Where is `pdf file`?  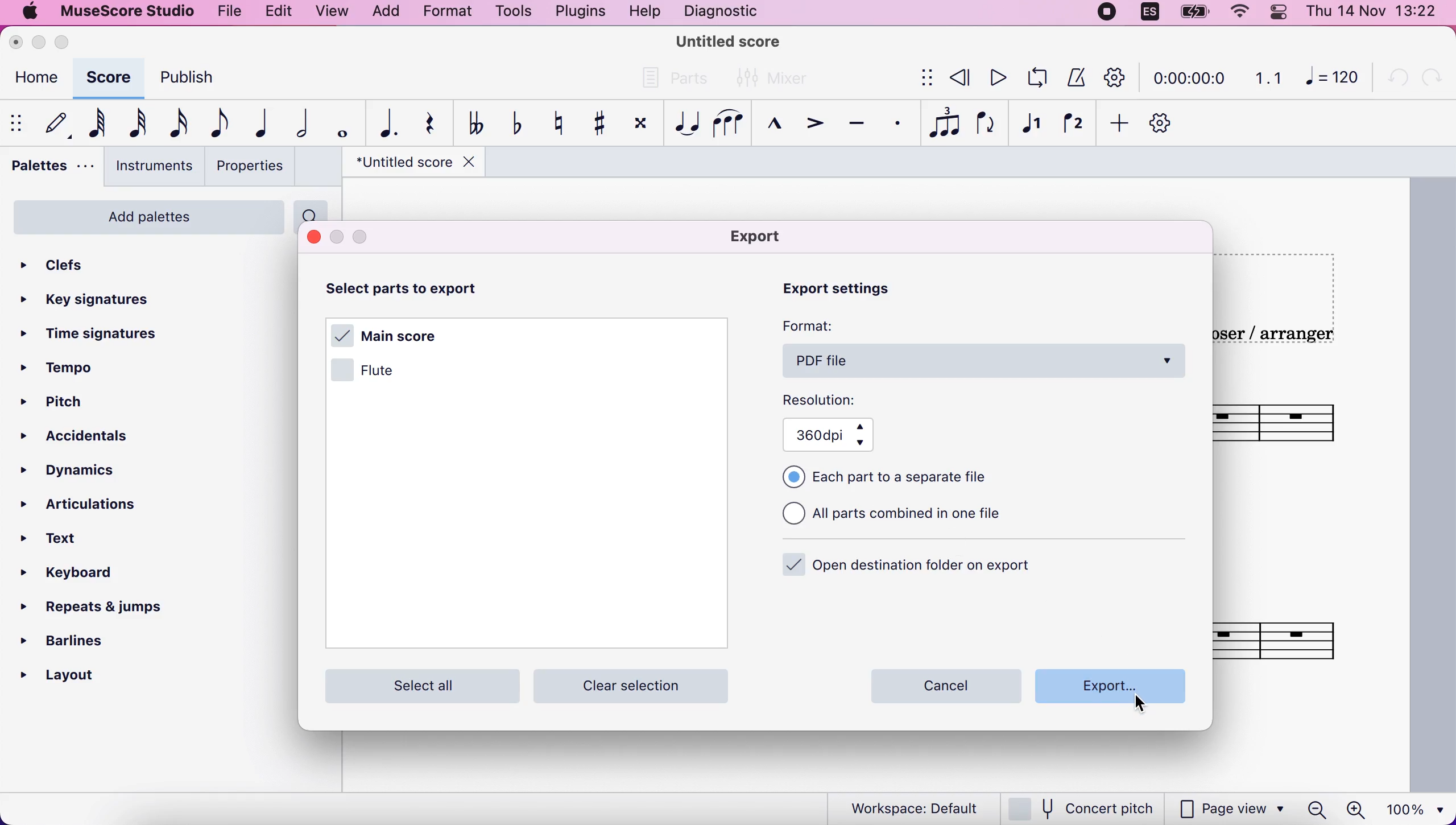
pdf file is located at coordinates (984, 362).